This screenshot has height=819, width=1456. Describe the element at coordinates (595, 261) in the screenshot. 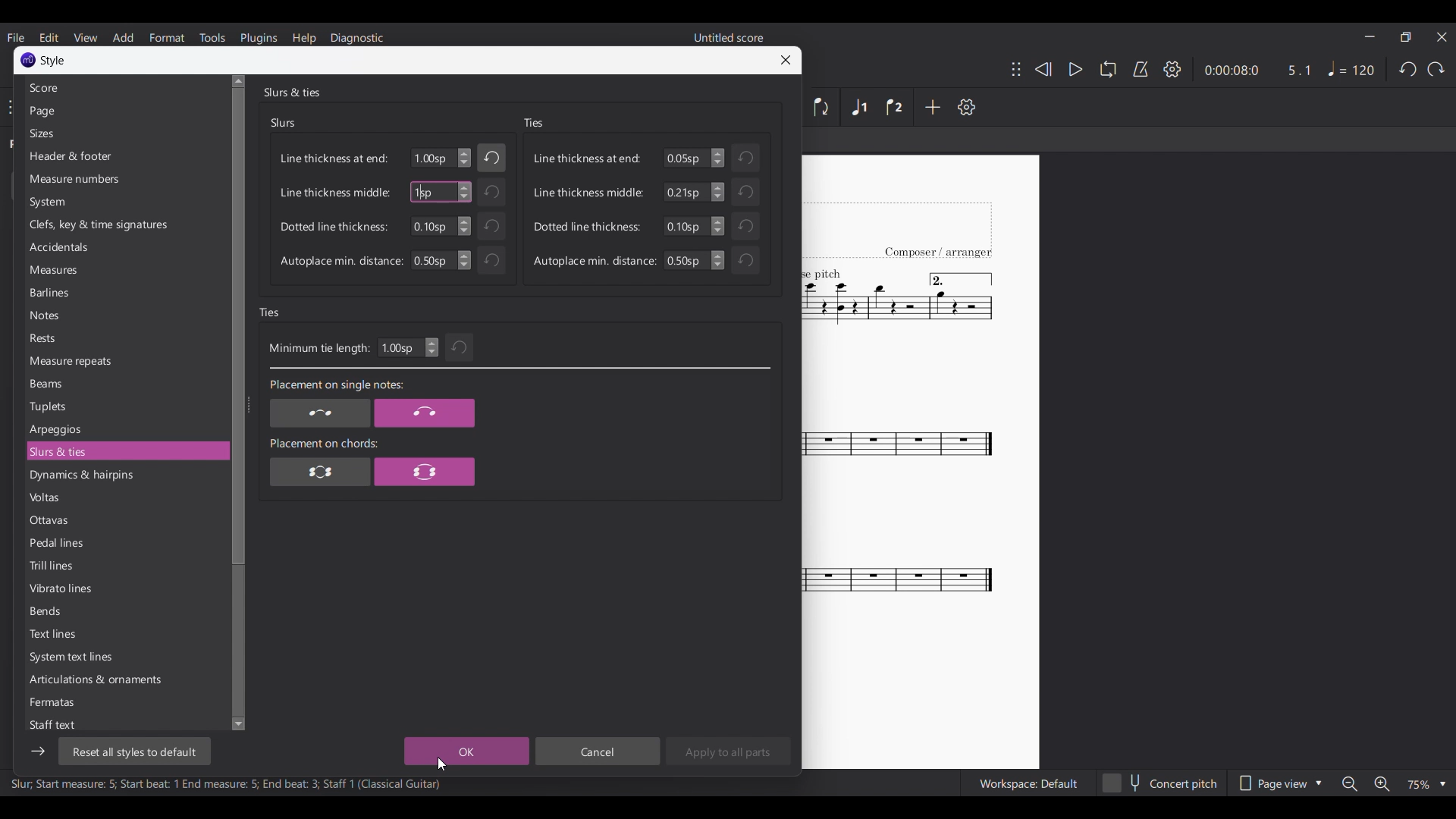

I see `Autoplace min. distance` at that location.